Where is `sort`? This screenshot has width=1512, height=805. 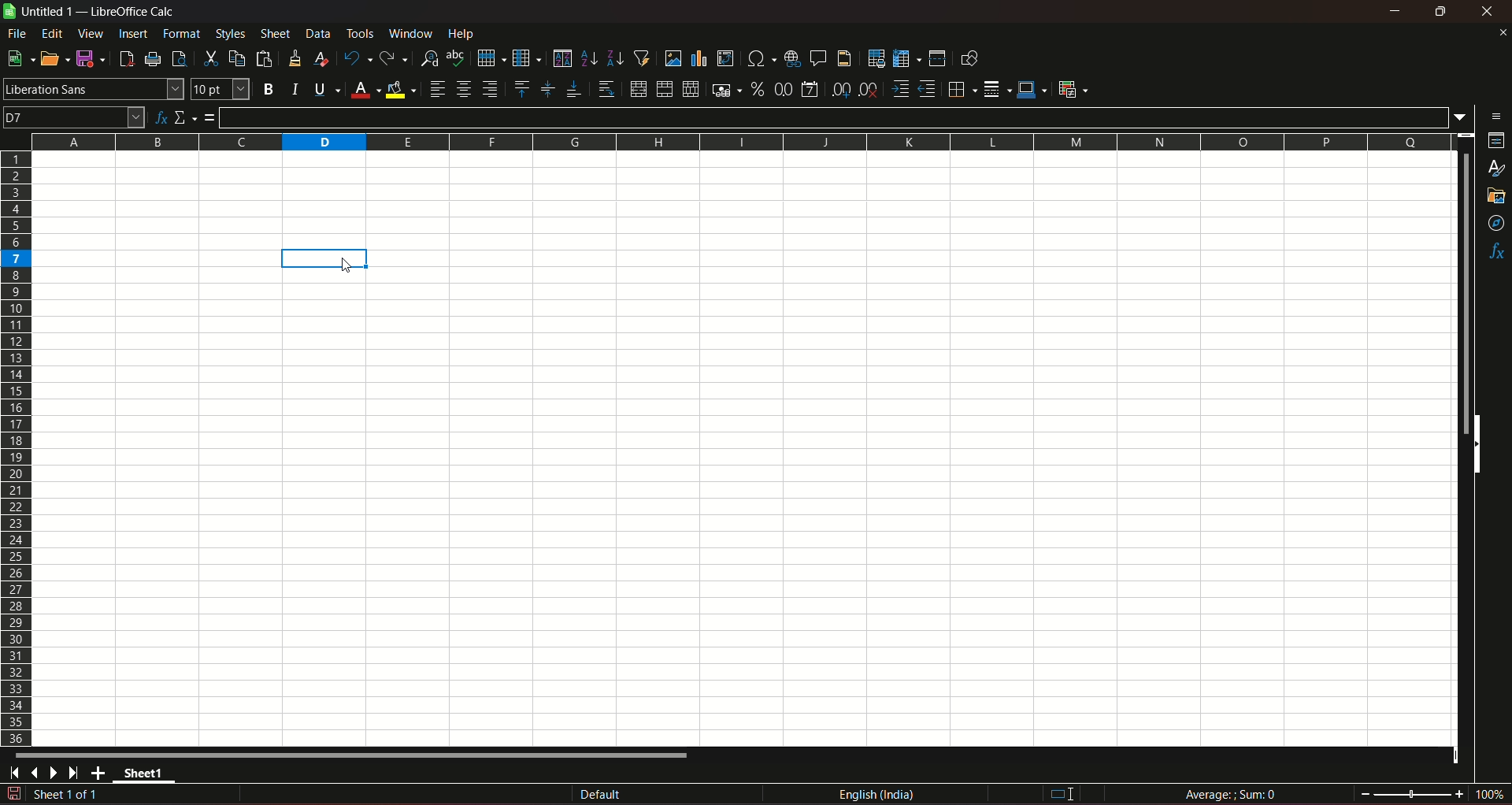 sort is located at coordinates (561, 58).